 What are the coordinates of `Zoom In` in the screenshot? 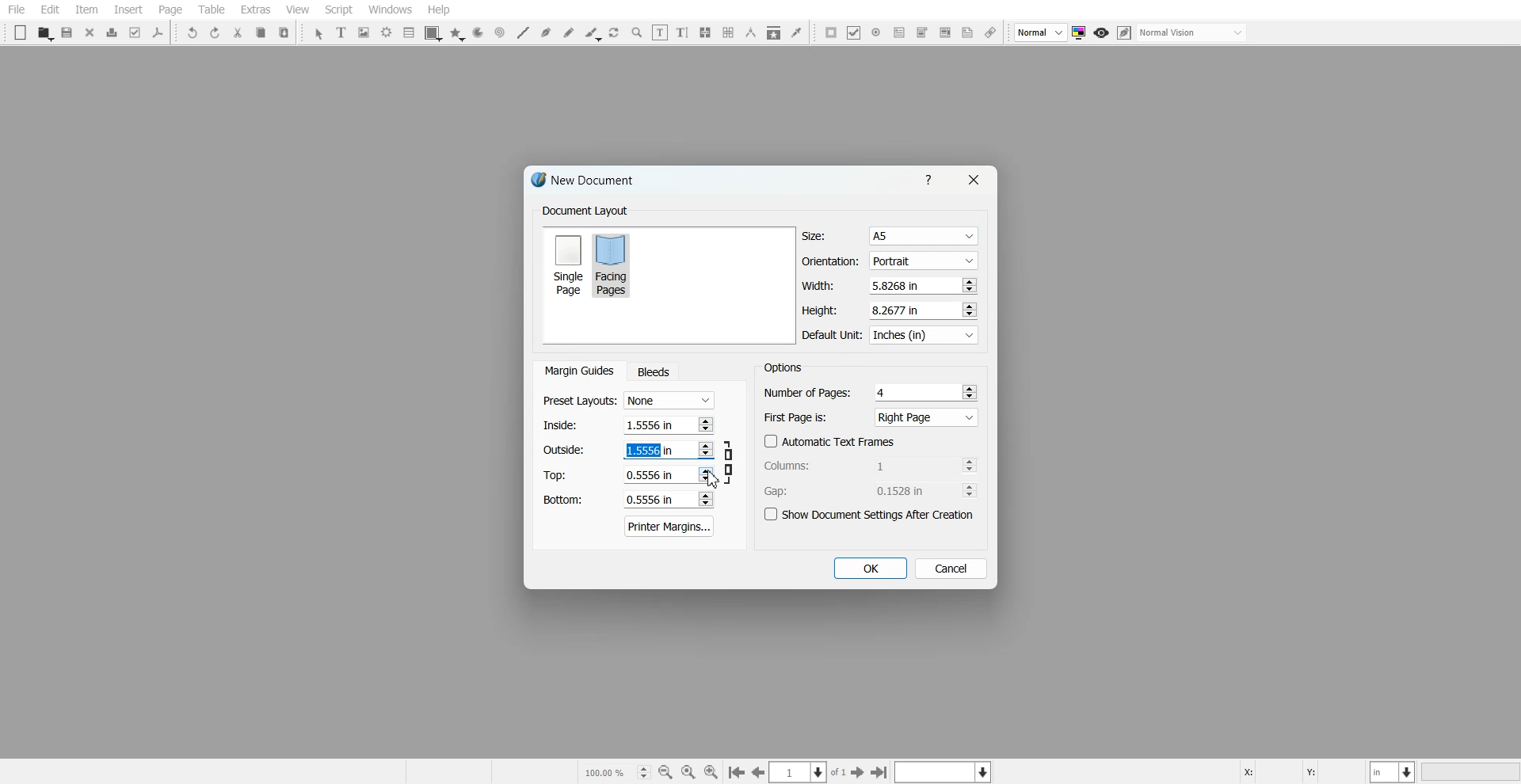 It's located at (711, 771).